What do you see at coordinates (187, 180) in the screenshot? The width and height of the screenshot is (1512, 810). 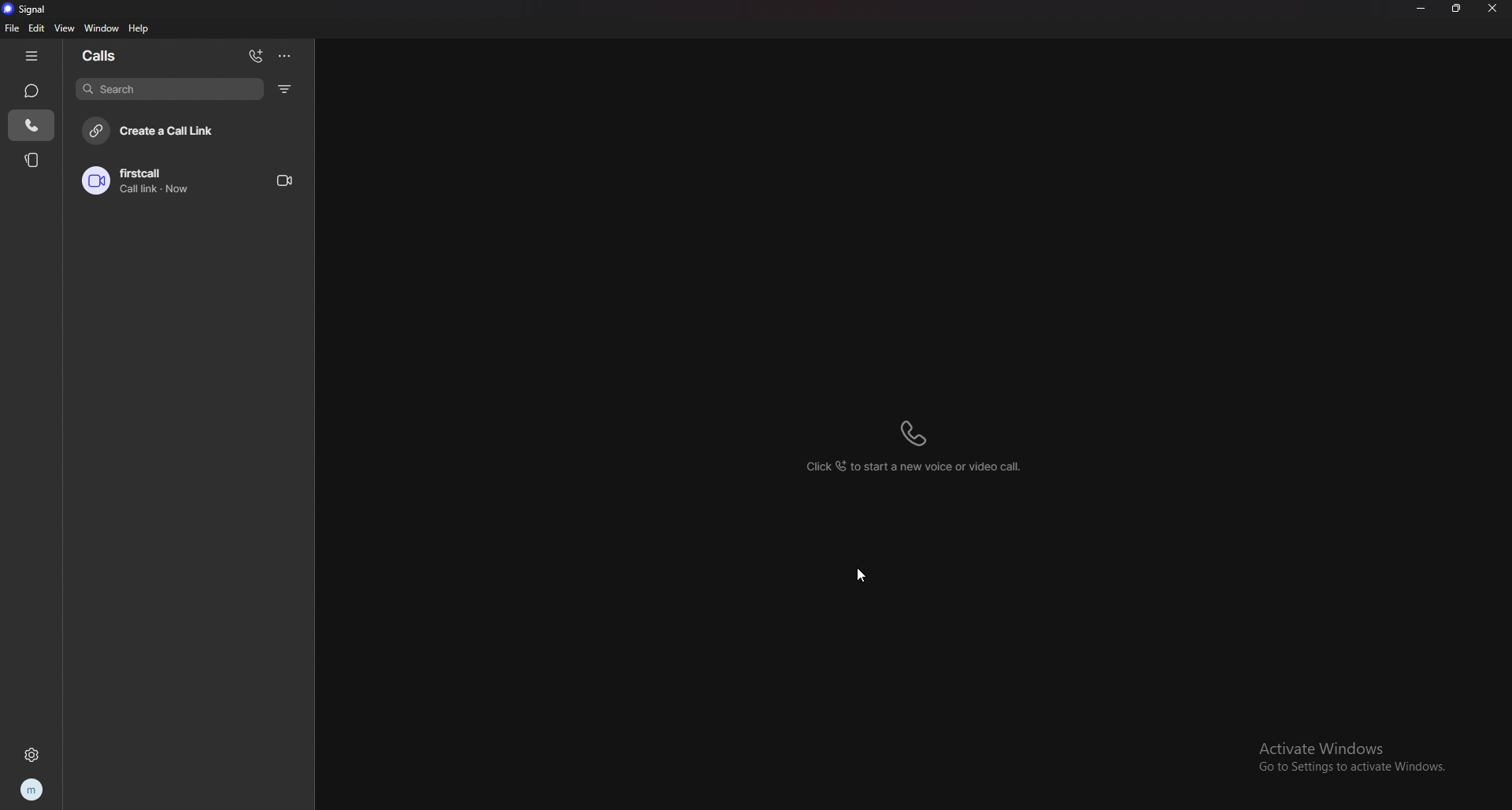 I see `call link` at bounding box center [187, 180].